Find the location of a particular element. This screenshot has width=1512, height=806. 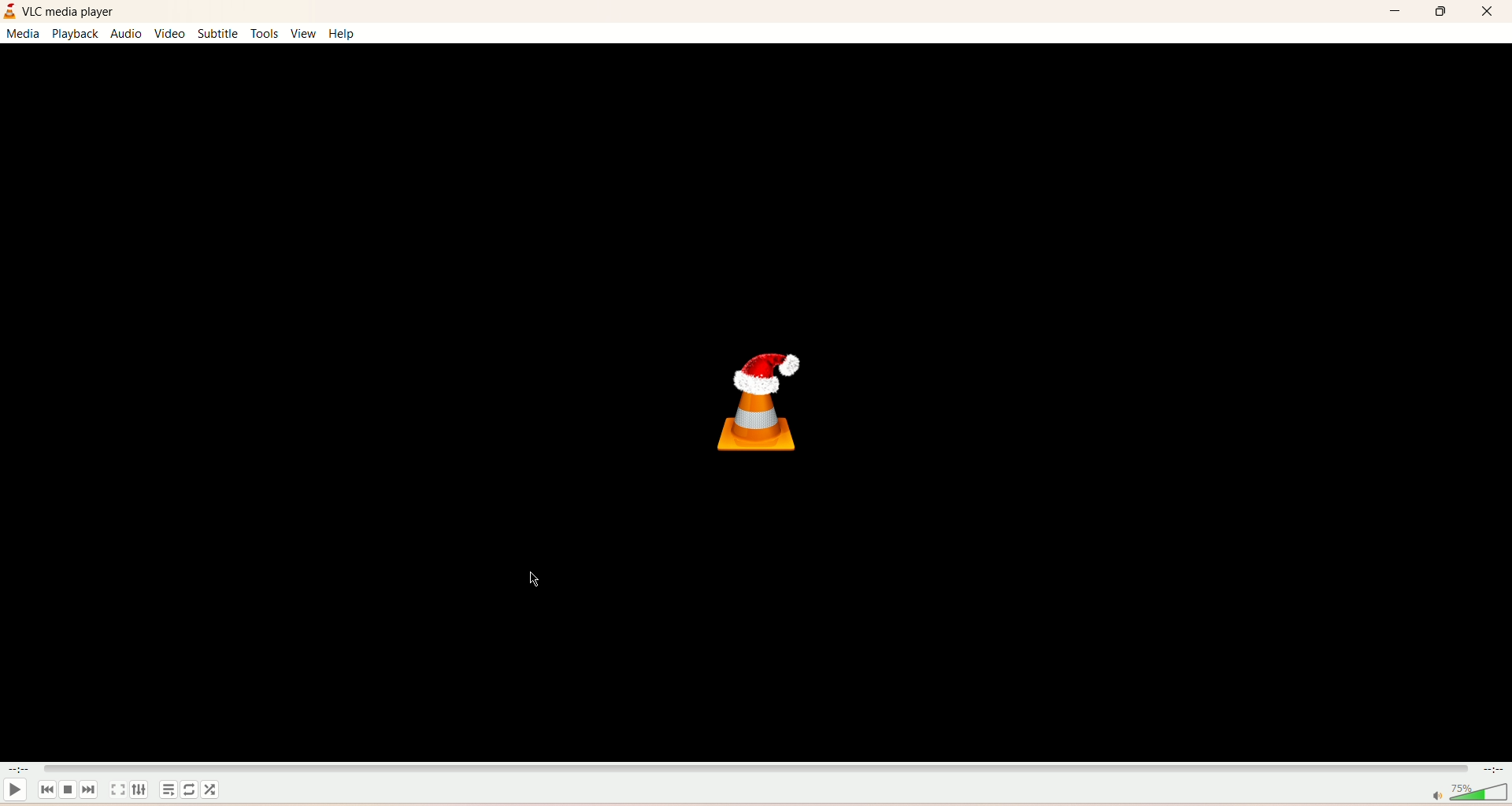

play/pause is located at coordinates (15, 790).